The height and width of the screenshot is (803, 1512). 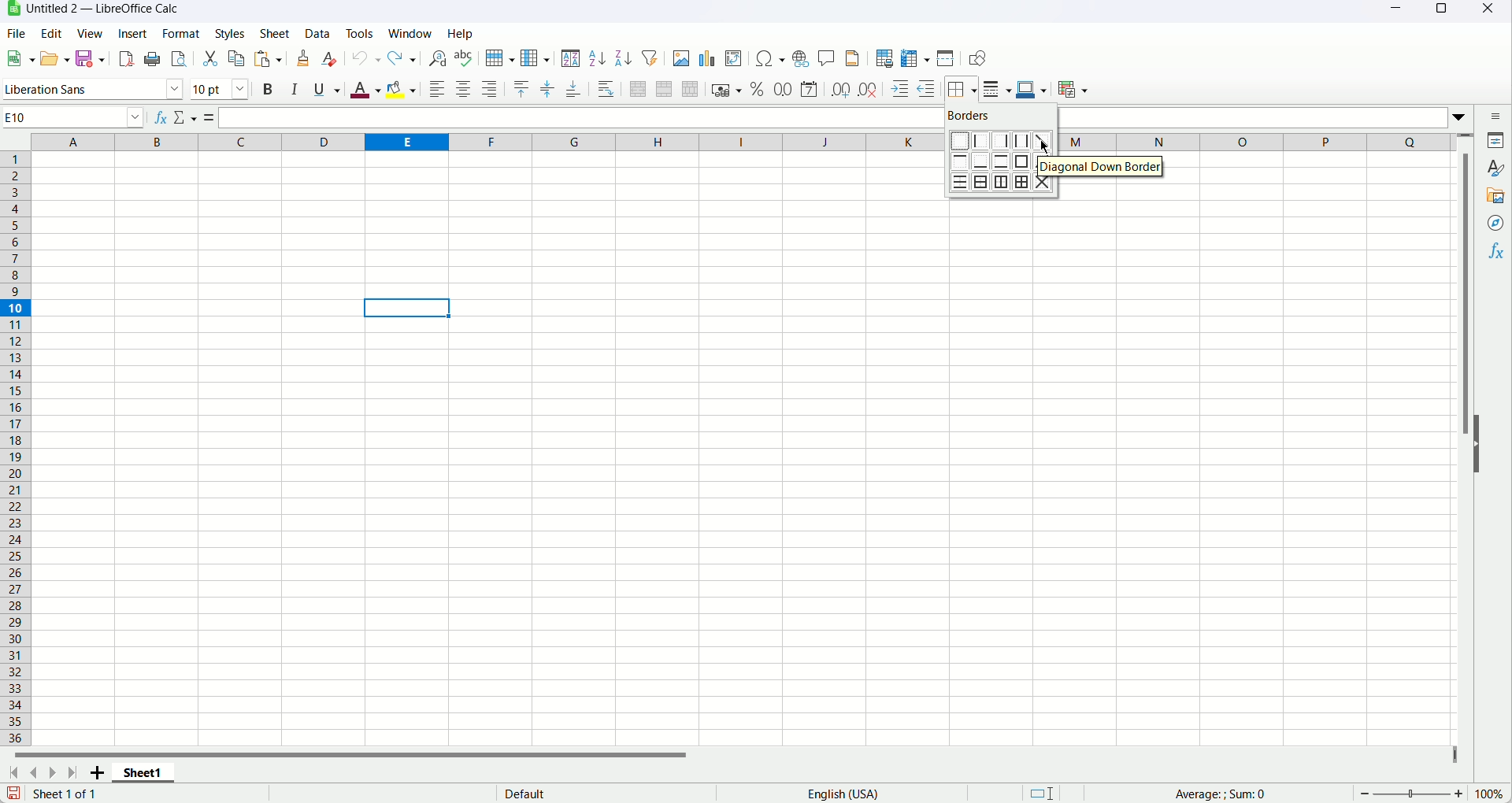 What do you see at coordinates (94, 60) in the screenshot?
I see `Save` at bounding box center [94, 60].